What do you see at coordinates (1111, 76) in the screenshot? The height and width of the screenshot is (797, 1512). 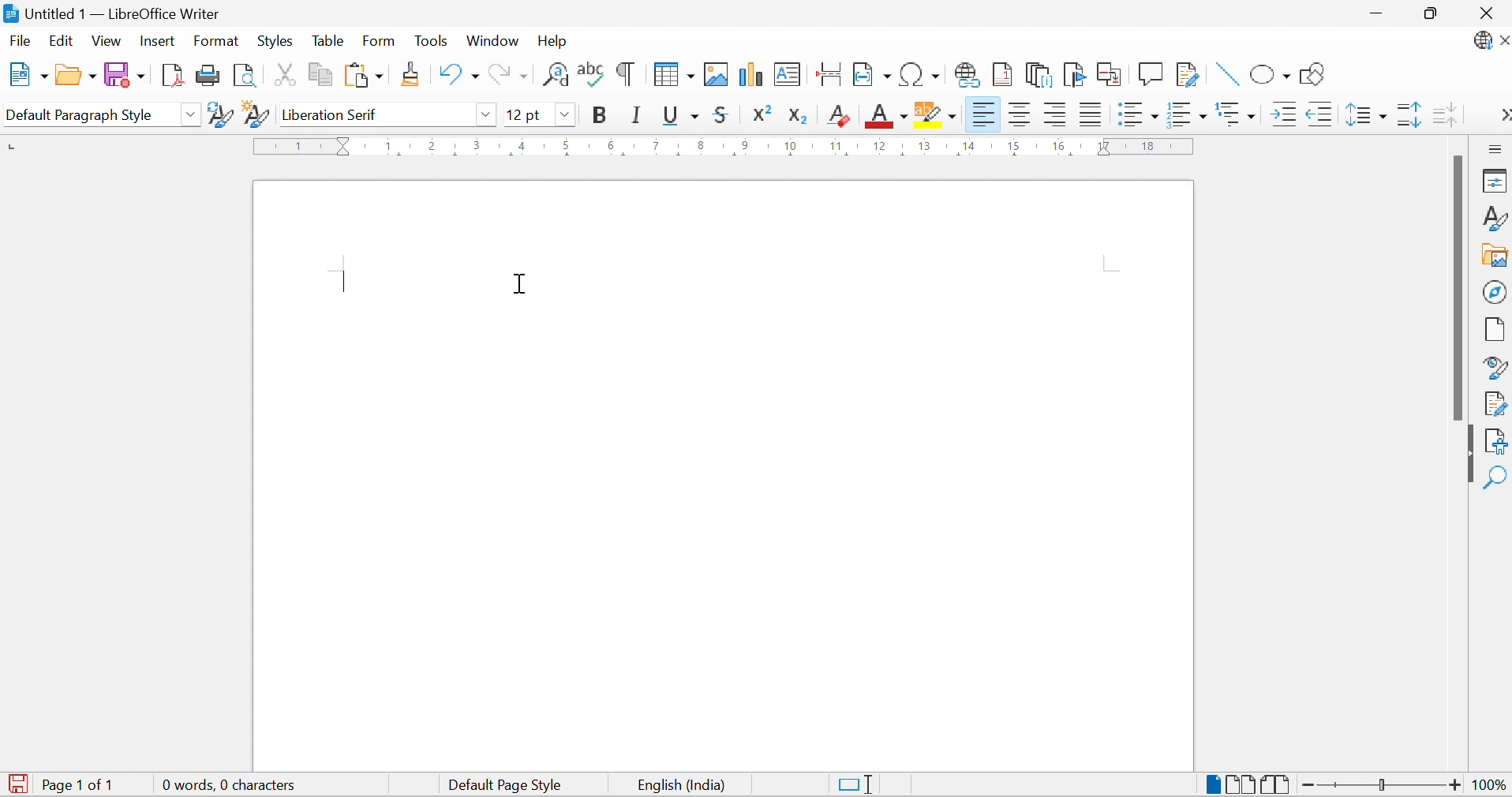 I see `Insert Cross-reference` at bounding box center [1111, 76].